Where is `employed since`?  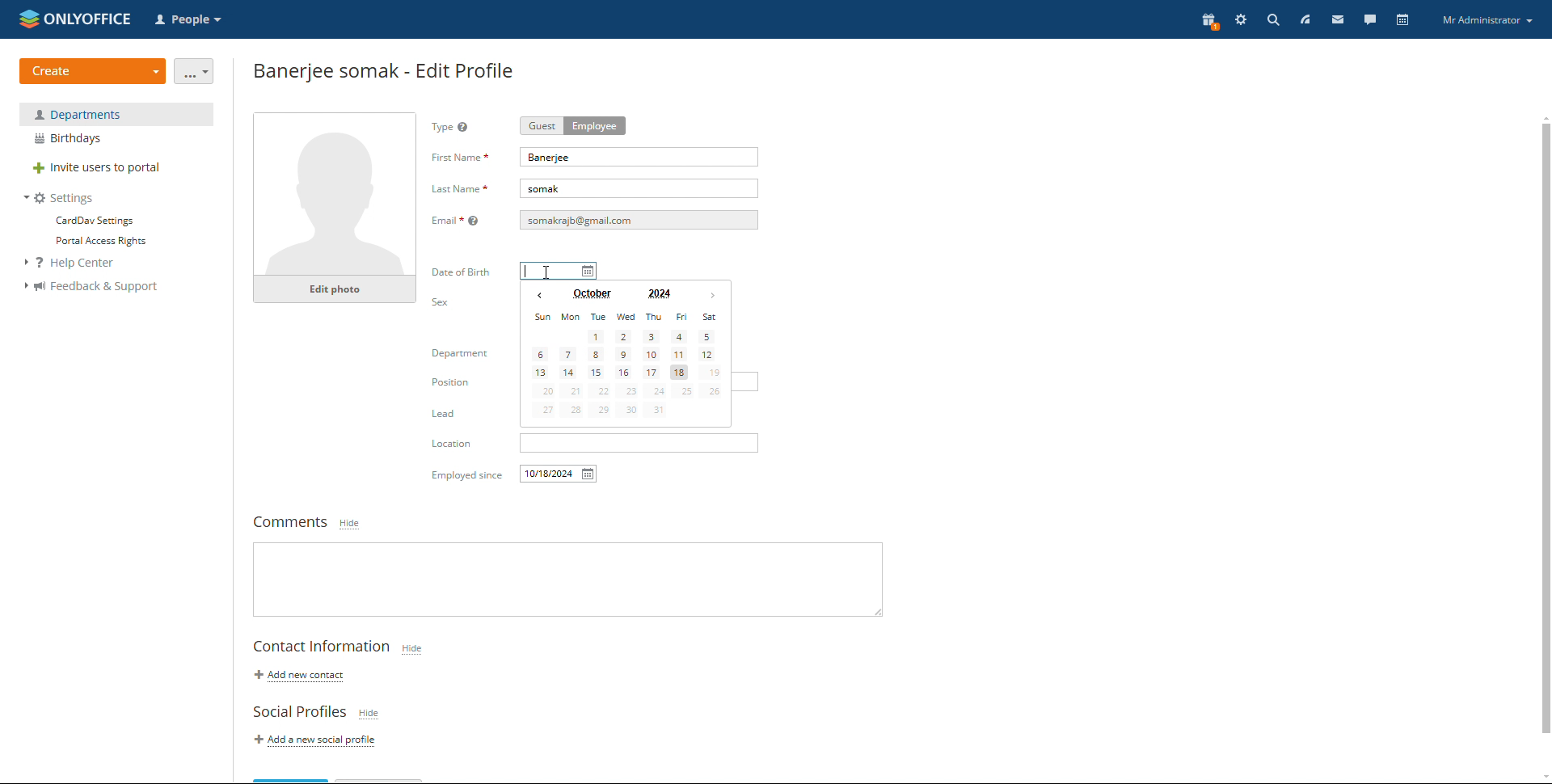 employed since is located at coordinates (559, 474).